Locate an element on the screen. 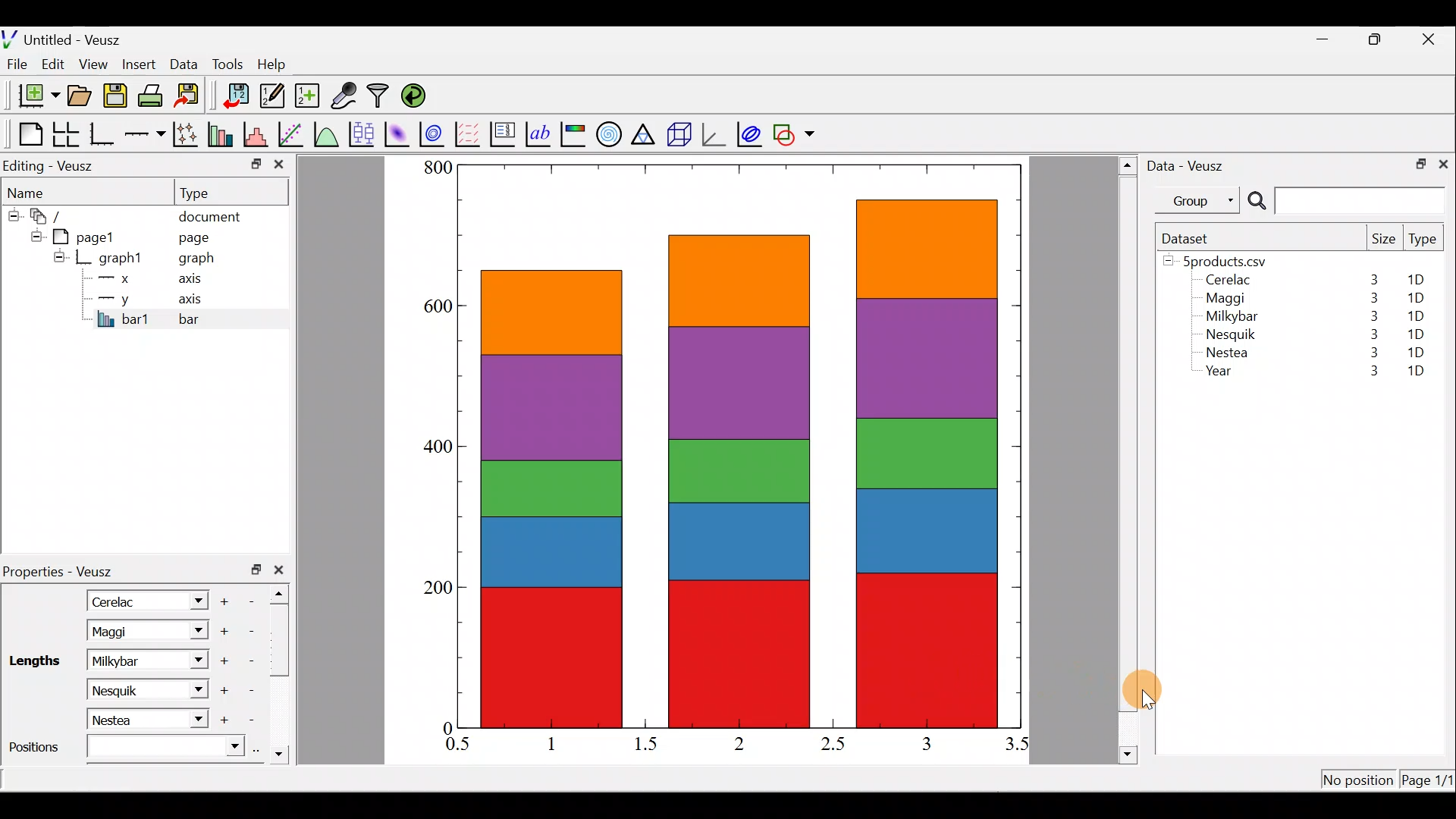 Image resolution: width=1456 pixels, height=819 pixels. Plot box plots is located at coordinates (363, 133).